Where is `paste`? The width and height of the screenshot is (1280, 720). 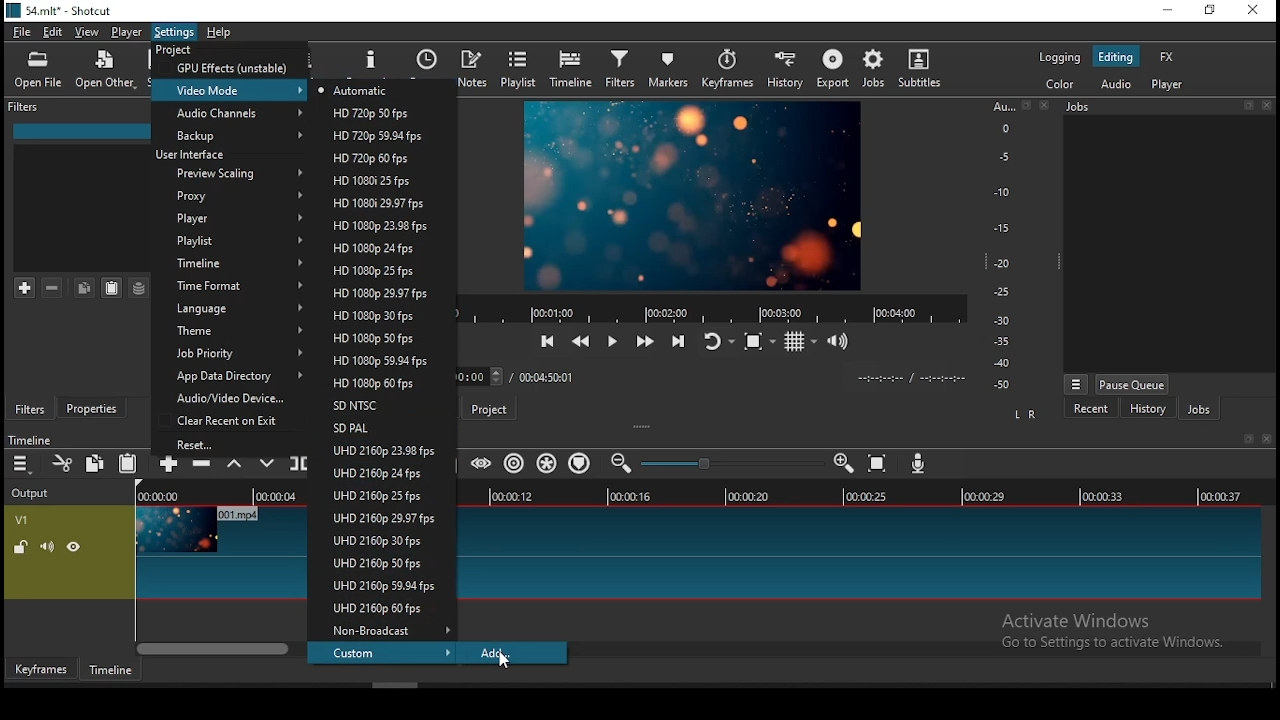
paste is located at coordinates (112, 288).